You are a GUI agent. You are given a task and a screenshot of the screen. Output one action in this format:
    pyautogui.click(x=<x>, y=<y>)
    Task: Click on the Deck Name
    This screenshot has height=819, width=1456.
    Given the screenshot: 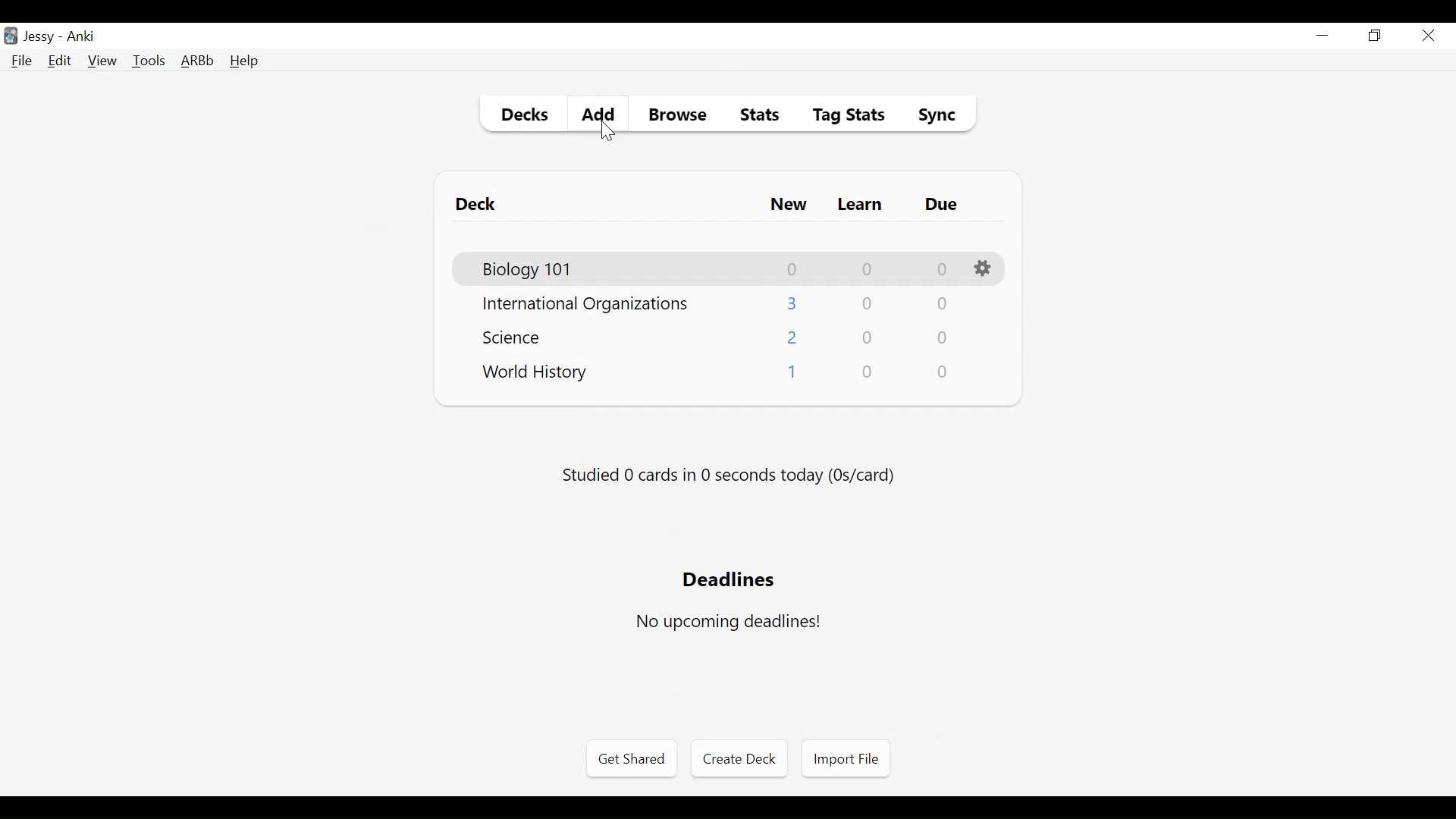 What is the action you would take?
    pyautogui.click(x=529, y=270)
    